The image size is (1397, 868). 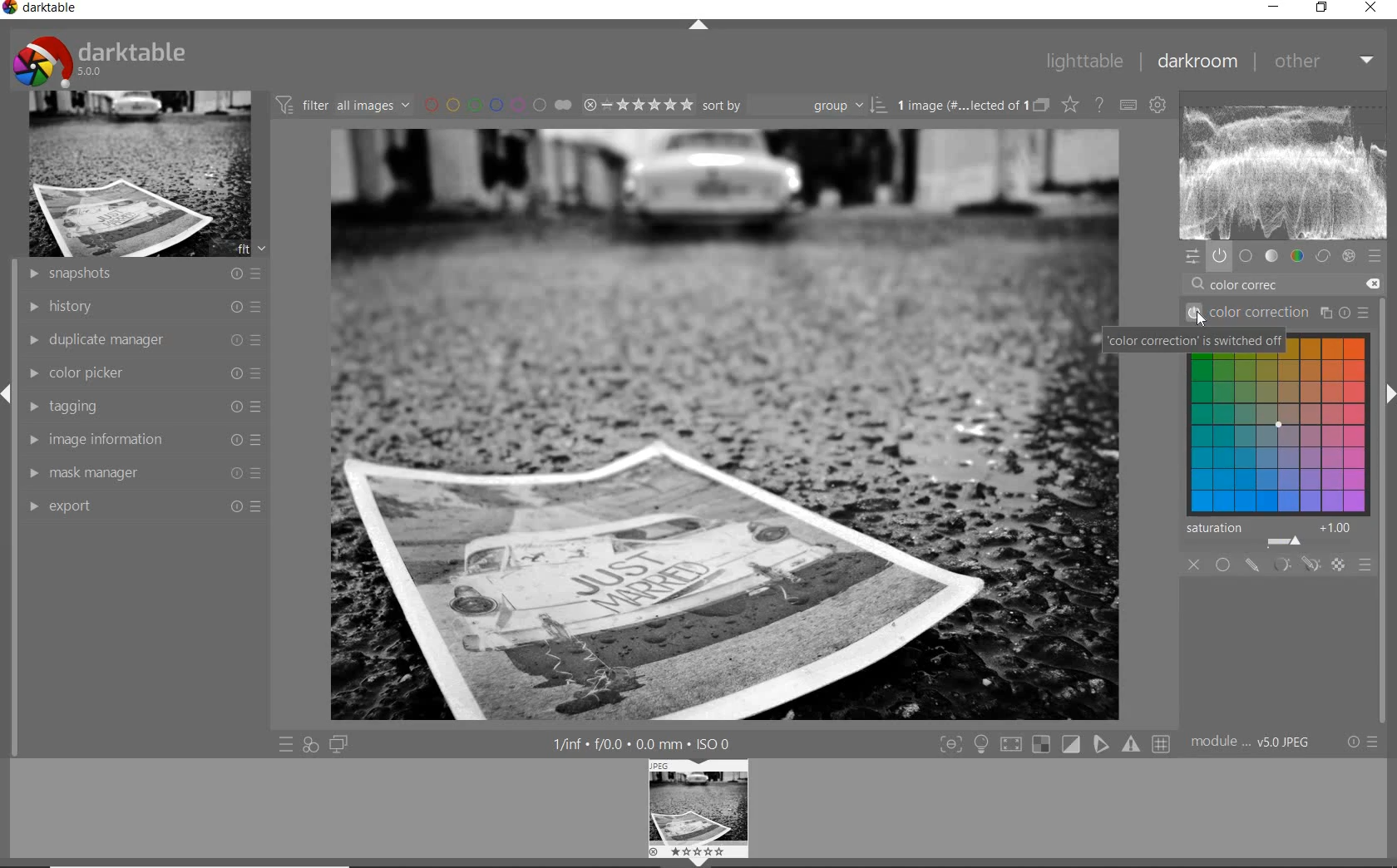 I want to click on darktable, so click(x=101, y=60).